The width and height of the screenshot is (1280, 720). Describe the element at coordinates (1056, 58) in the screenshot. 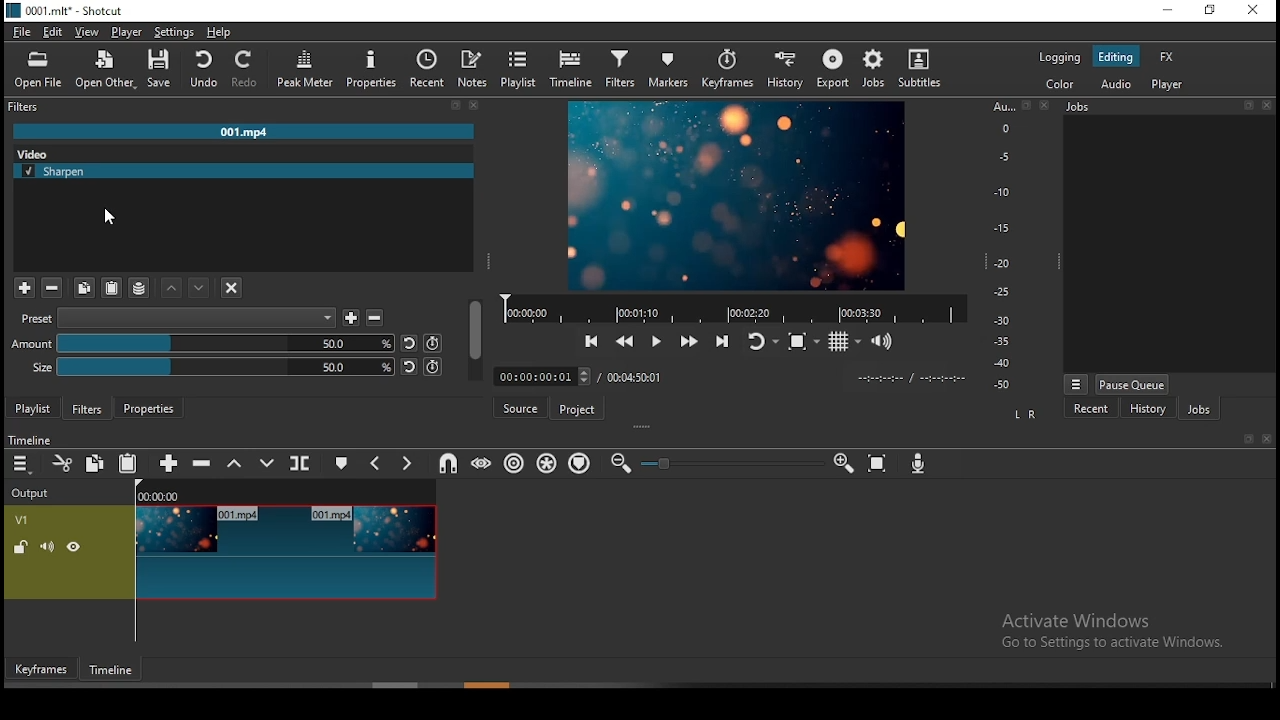

I see `logging` at that location.